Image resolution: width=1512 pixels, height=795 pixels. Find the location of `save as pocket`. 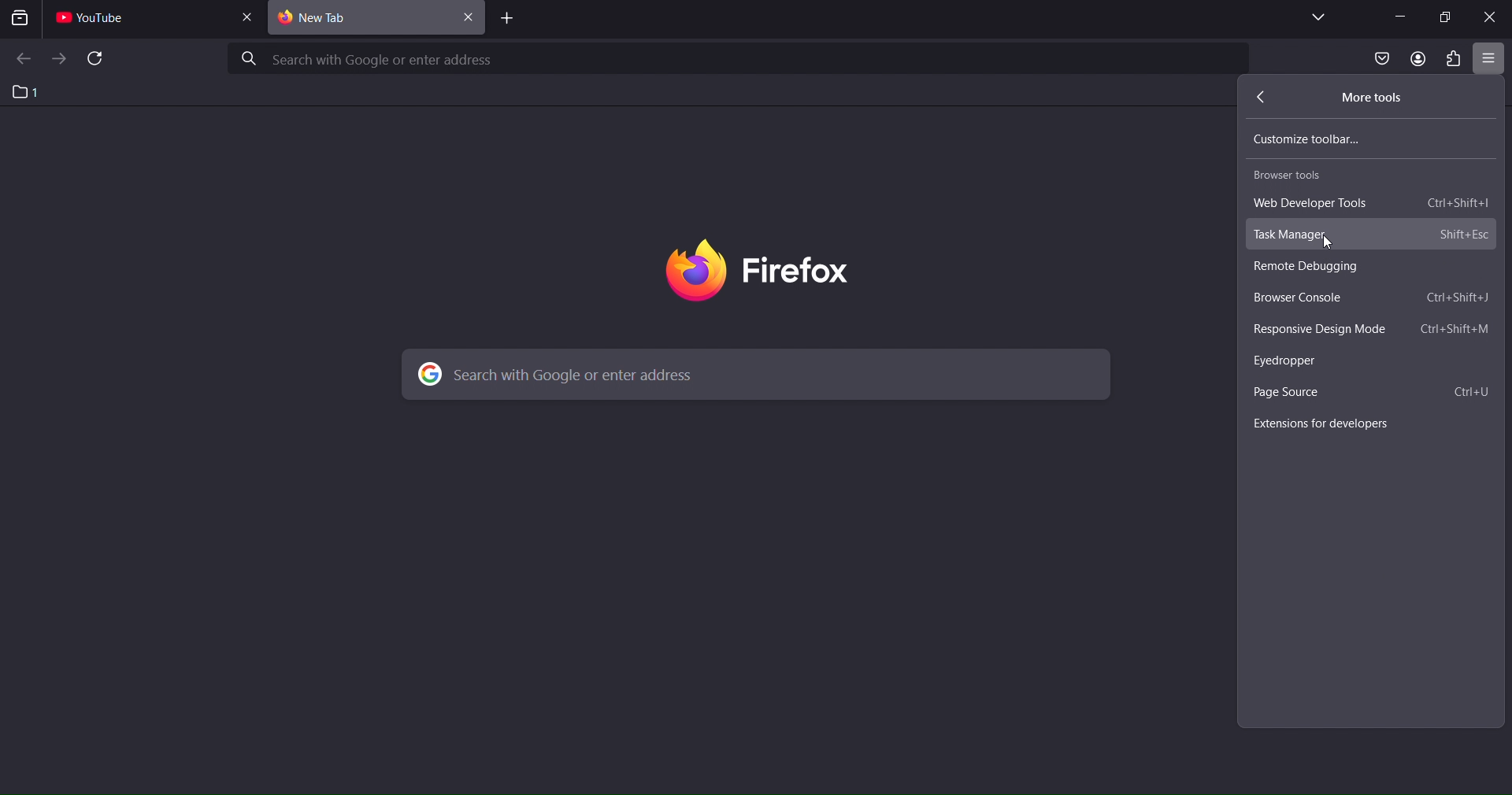

save as pocket is located at coordinates (1377, 60).